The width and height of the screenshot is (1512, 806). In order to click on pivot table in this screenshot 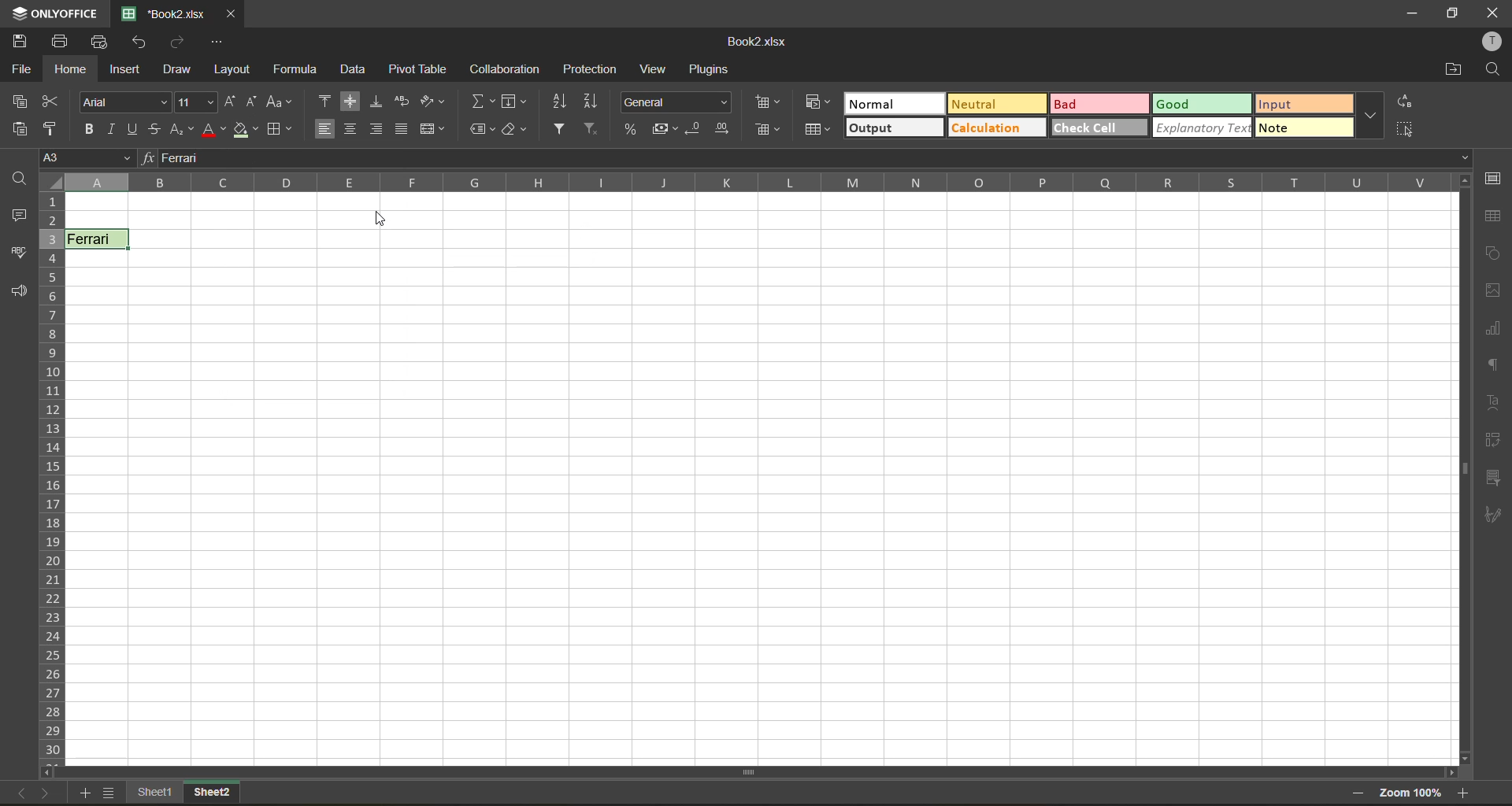, I will do `click(421, 68)`.